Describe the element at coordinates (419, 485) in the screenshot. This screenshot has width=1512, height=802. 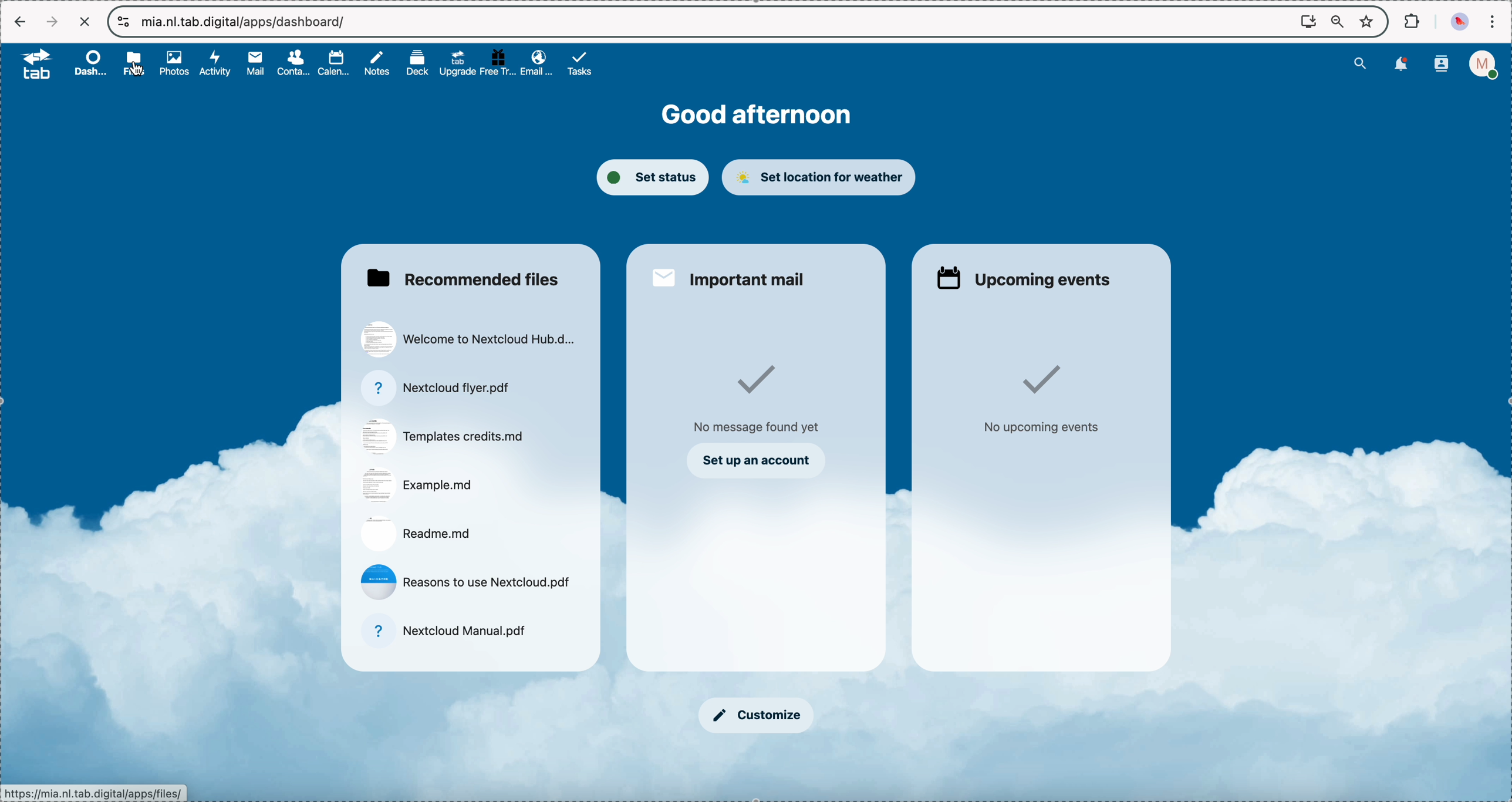
I see `file` at that location.